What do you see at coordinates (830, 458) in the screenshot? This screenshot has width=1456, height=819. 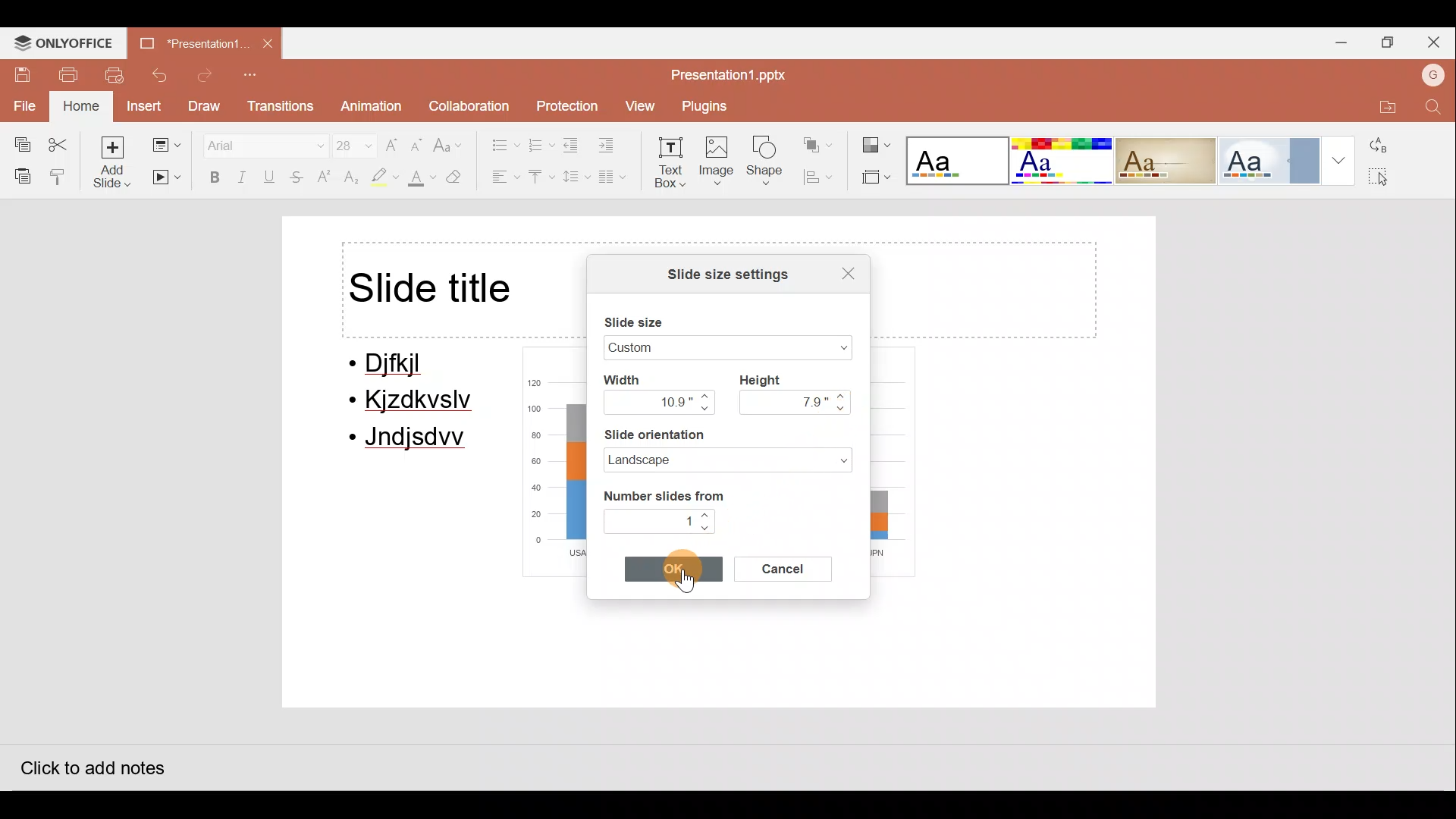 I see `Slide orientation dropdown` at bounding box center [830, 458].